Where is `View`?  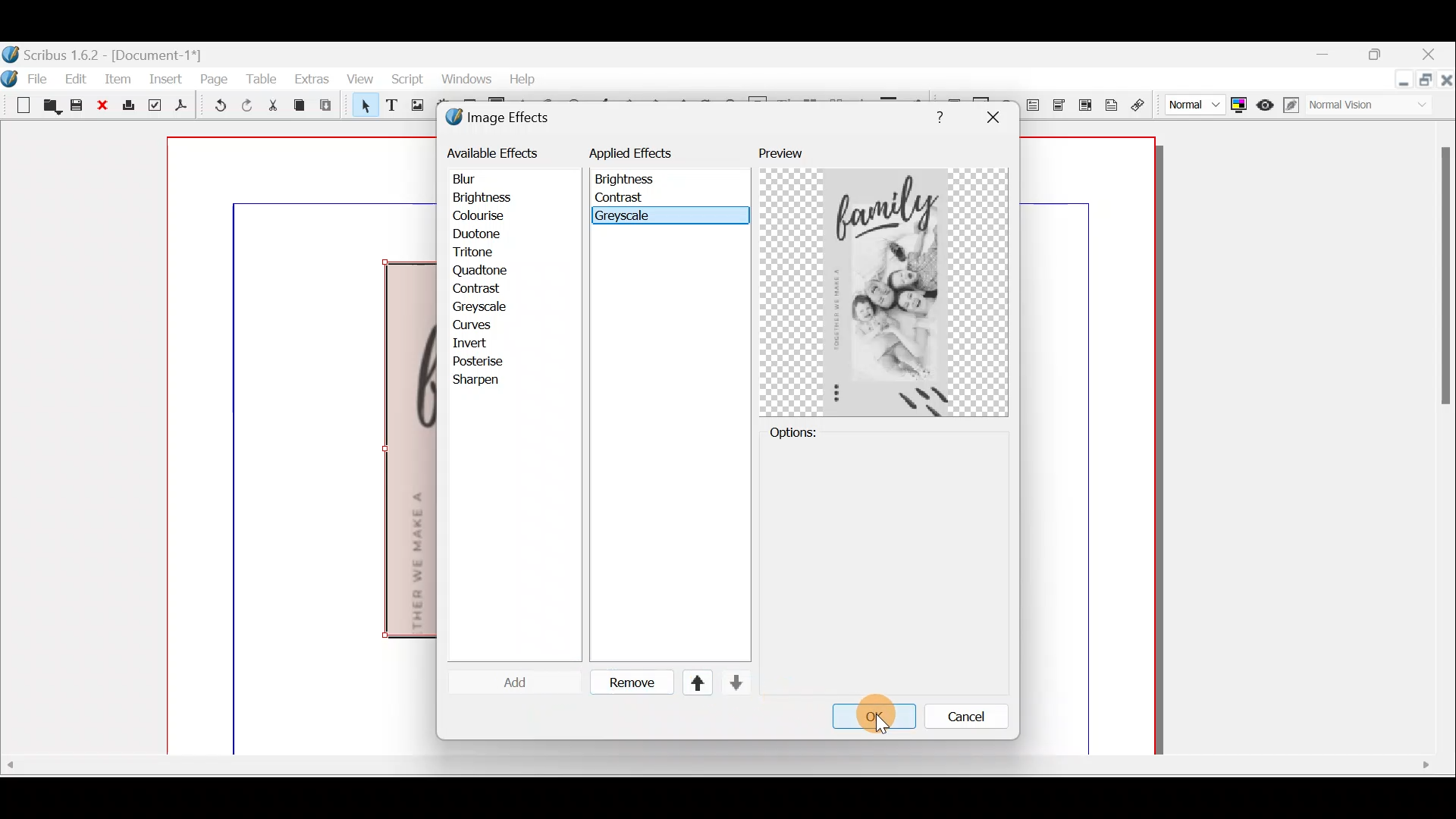 View is located at coordinates (363, 81).